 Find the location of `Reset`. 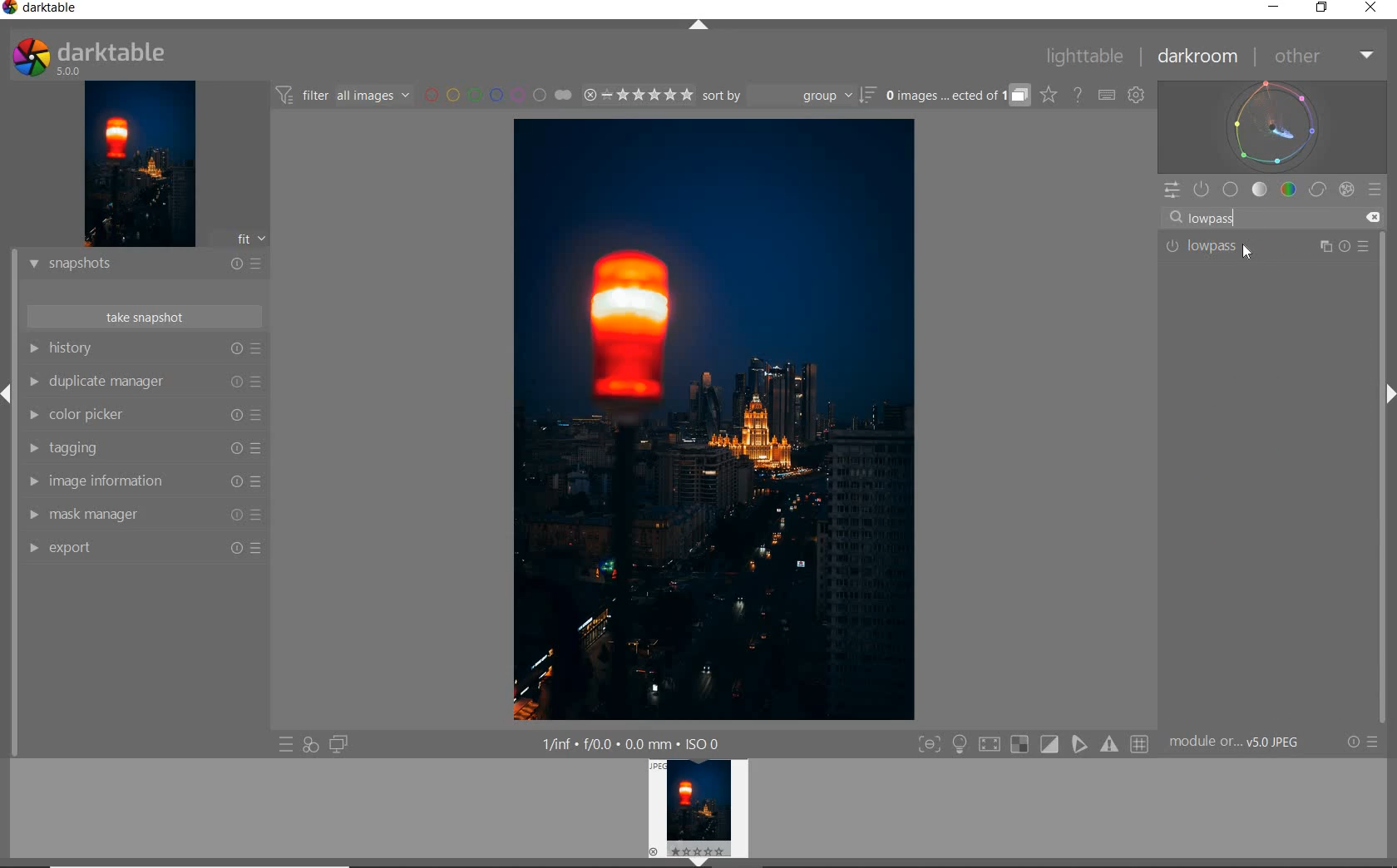

Reset is located at coordinates (239, 484).